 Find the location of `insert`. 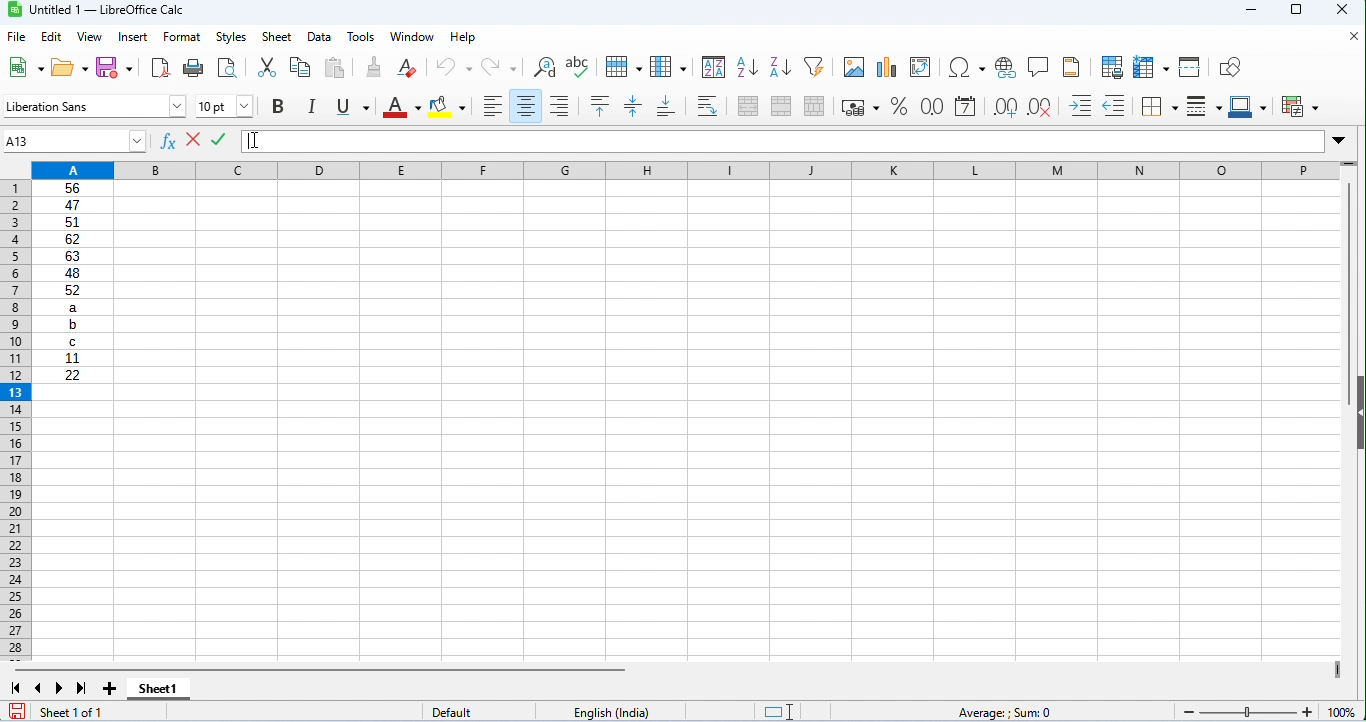

insert is located at coordinates (132, 38).